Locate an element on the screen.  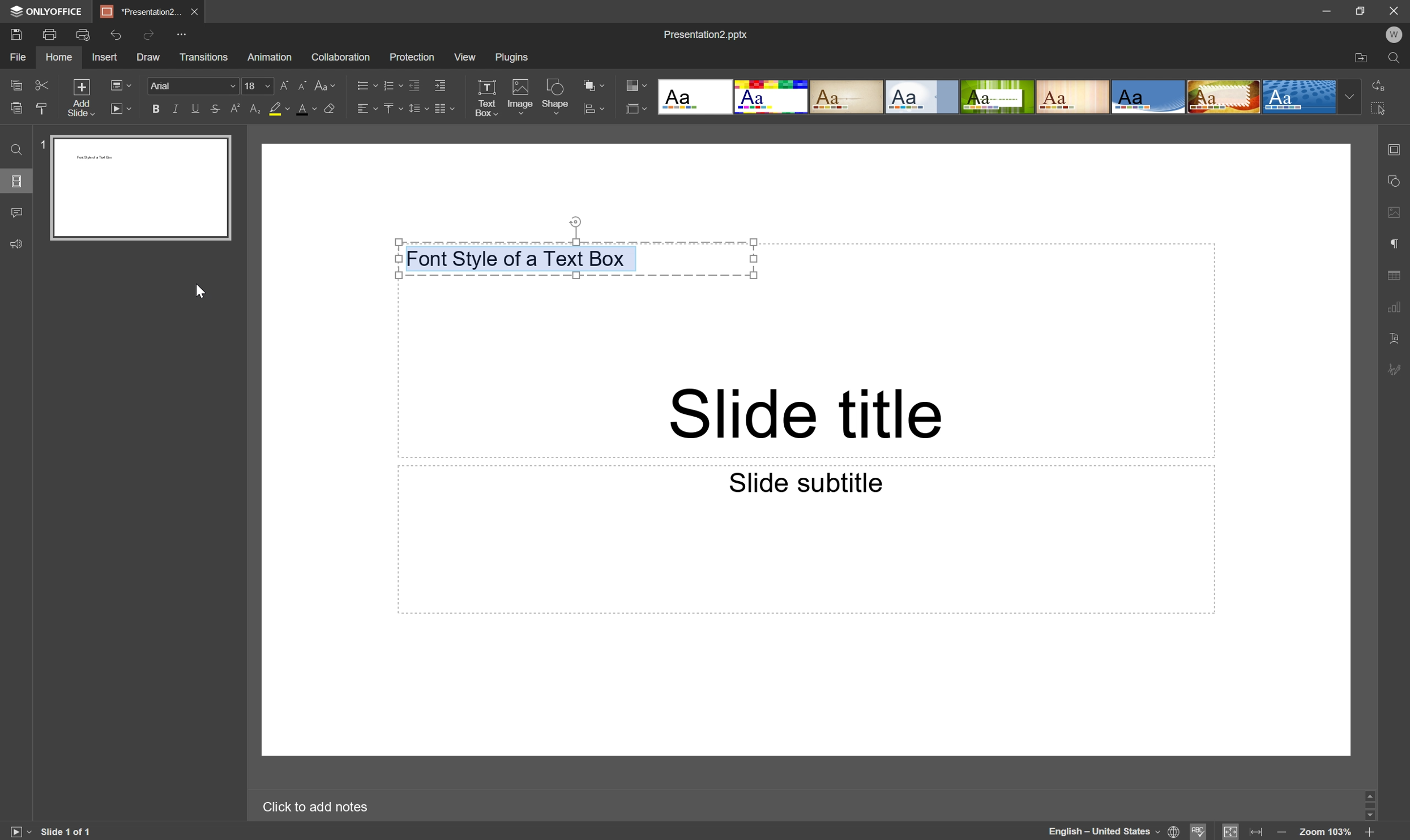
Zoom in is located at coordinates (1374, 833).